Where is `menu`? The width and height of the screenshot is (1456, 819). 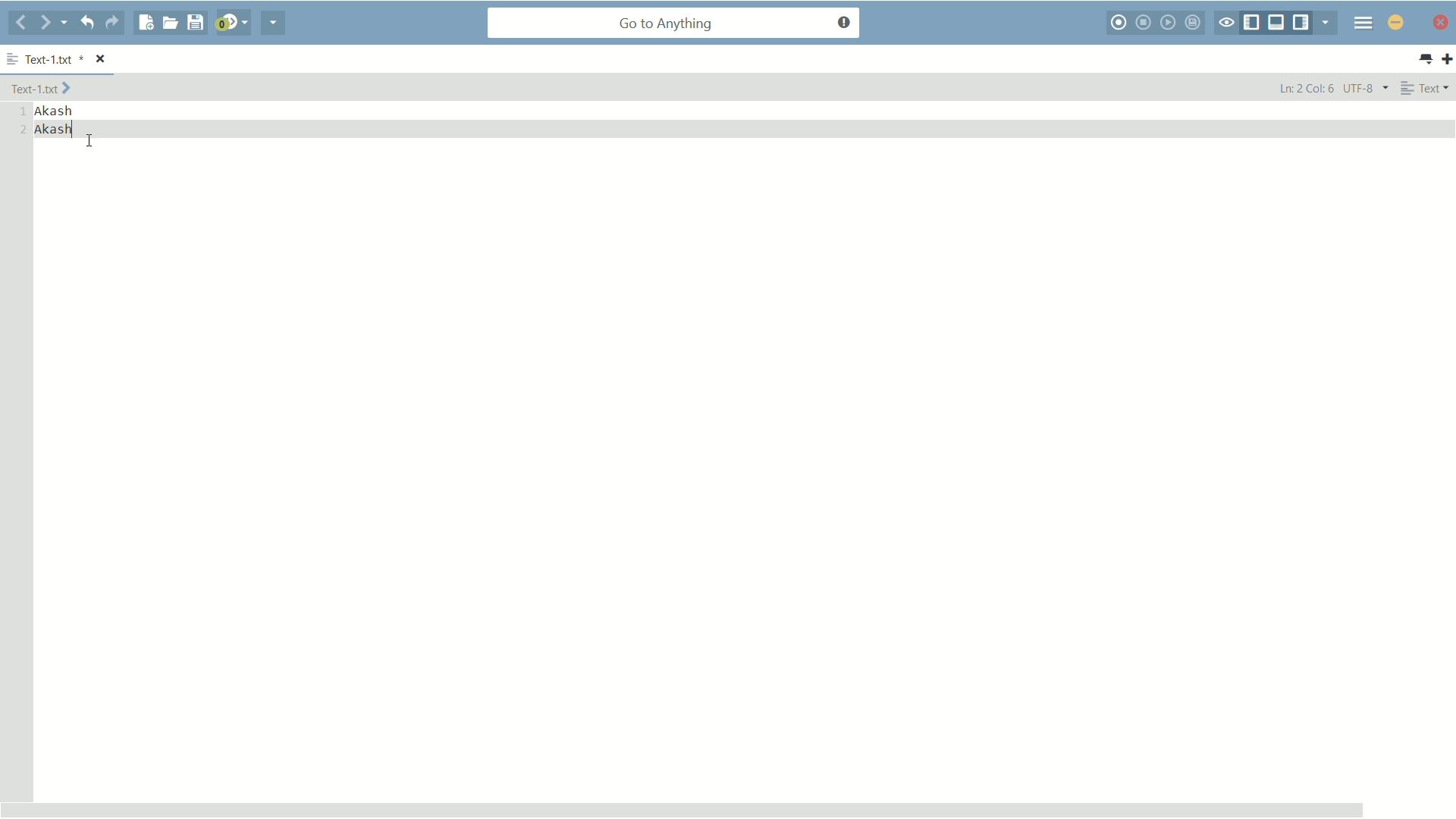
menu is located at coordinates (1363, 24).